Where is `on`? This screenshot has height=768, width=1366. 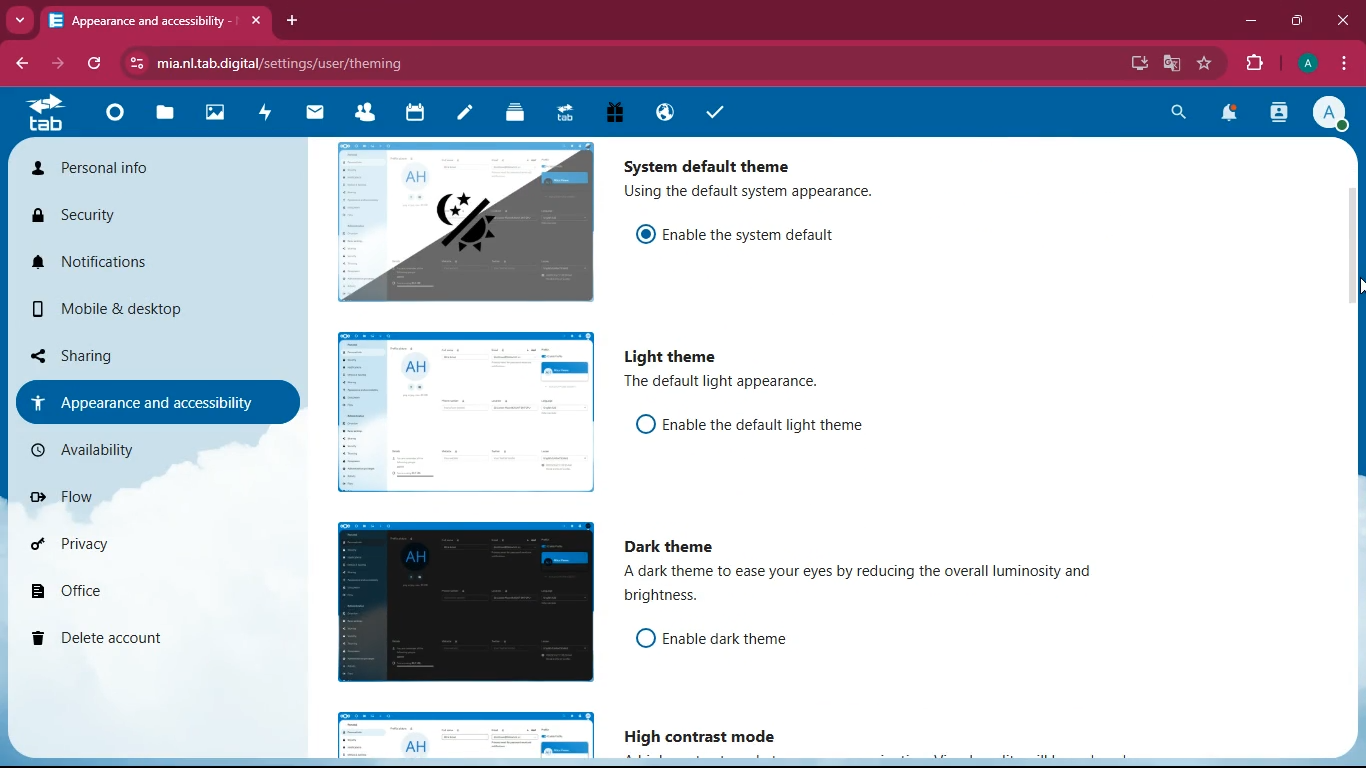 on is located at coordinates (647, 233).